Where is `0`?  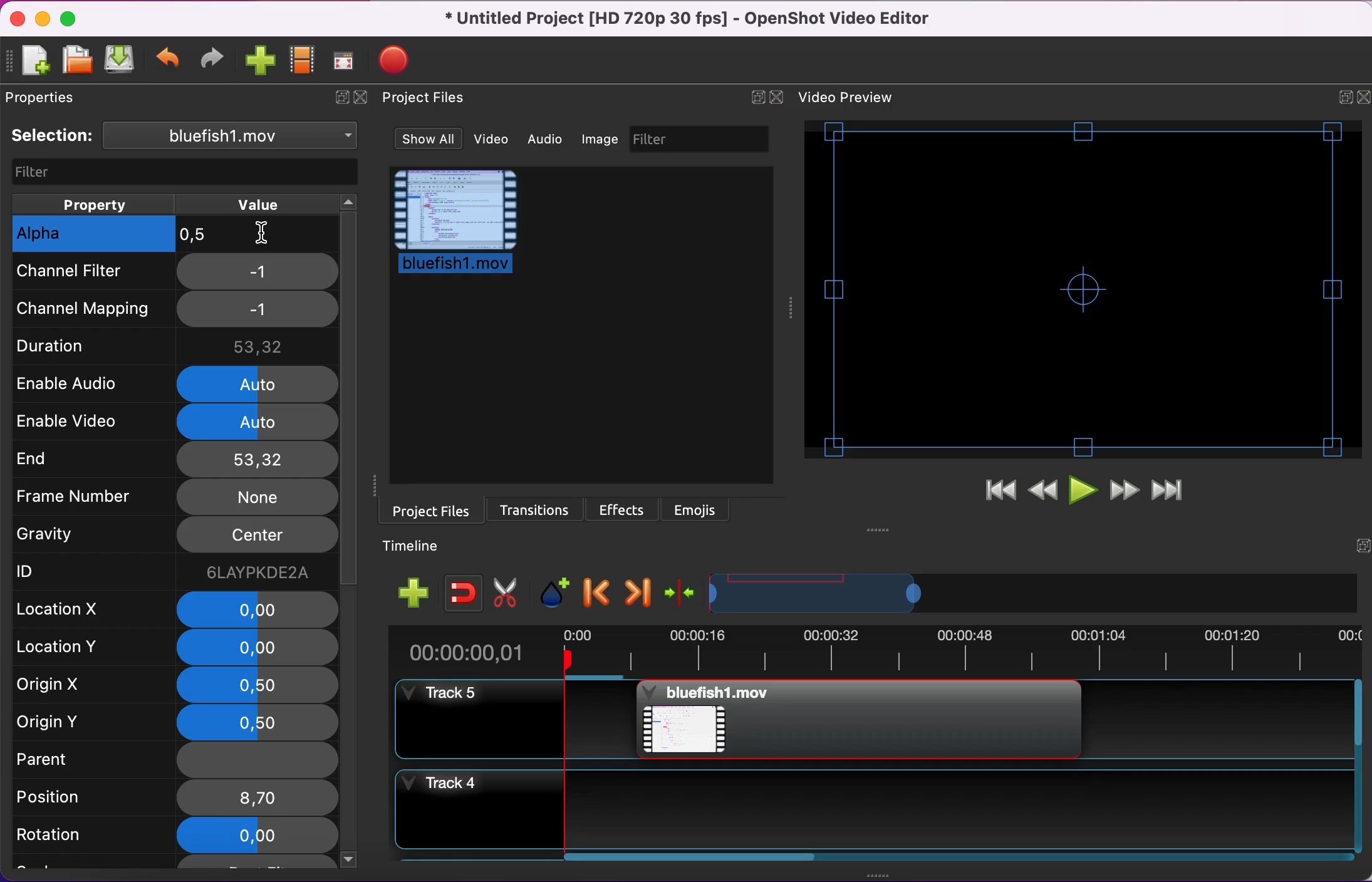
0 is located at coordinates (259, 648).